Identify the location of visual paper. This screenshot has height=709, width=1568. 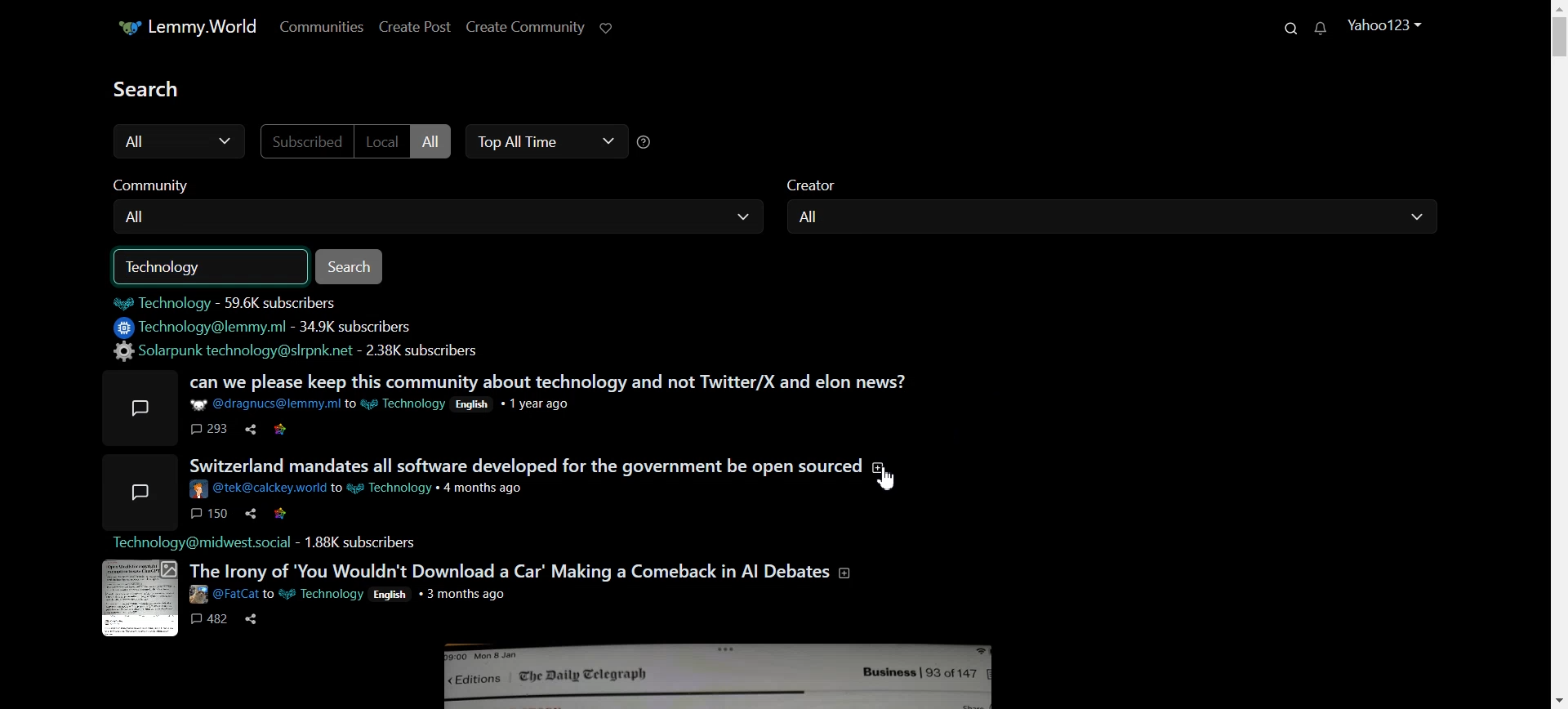
(140, 599).